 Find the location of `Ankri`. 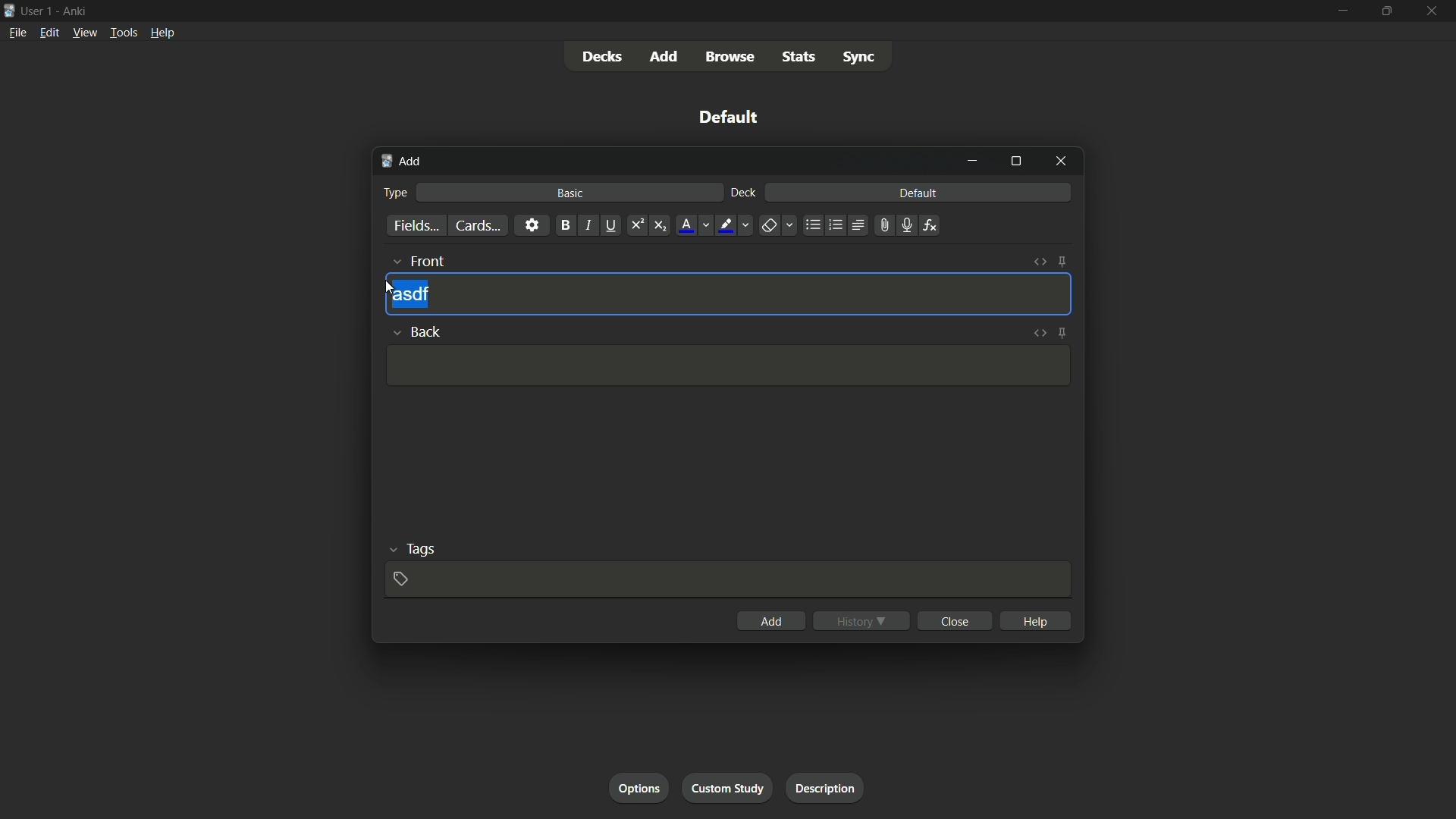

Ankri is located at coordinates (72, 10).